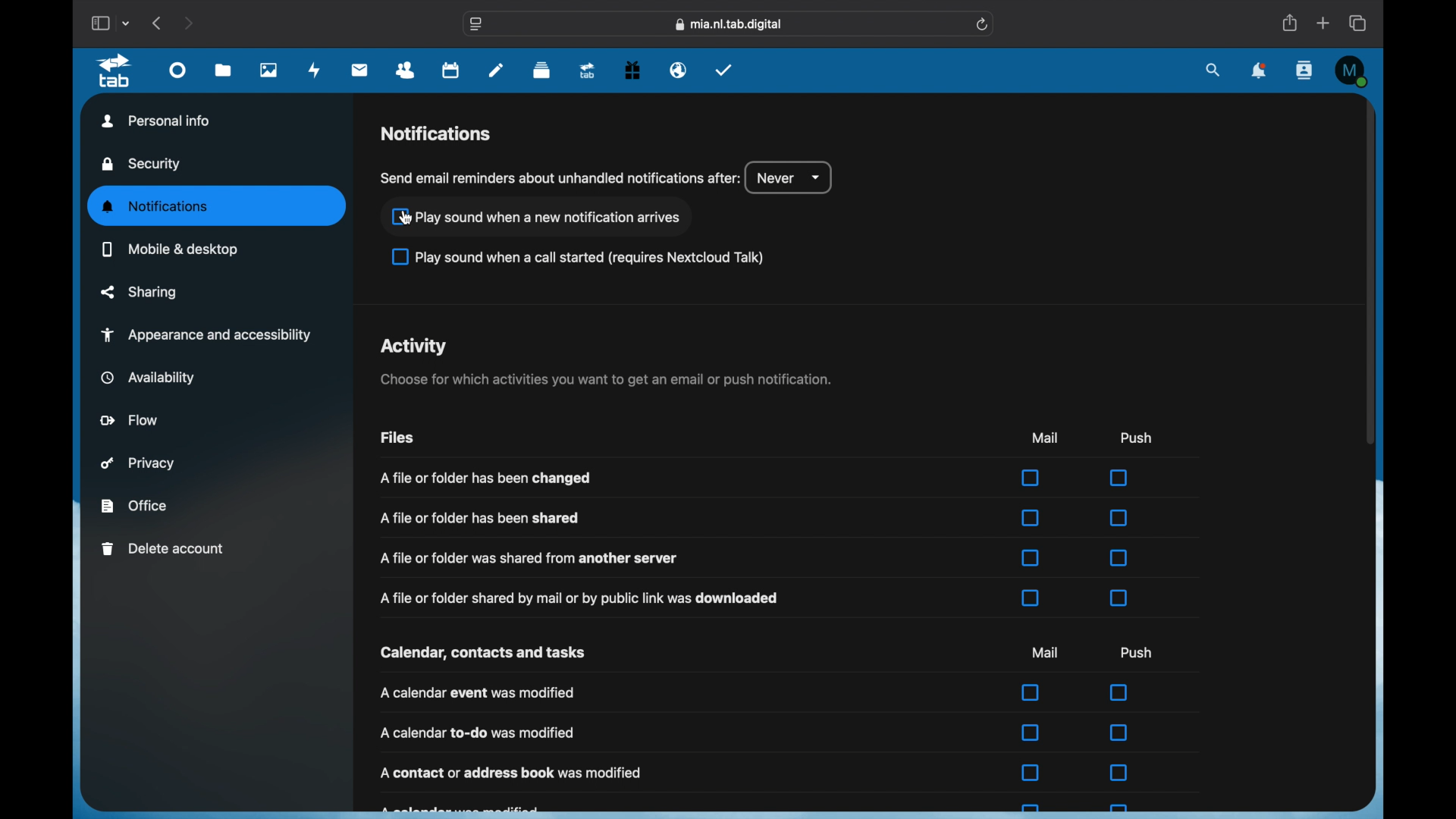  I want to click on tab, so click(115, 71).